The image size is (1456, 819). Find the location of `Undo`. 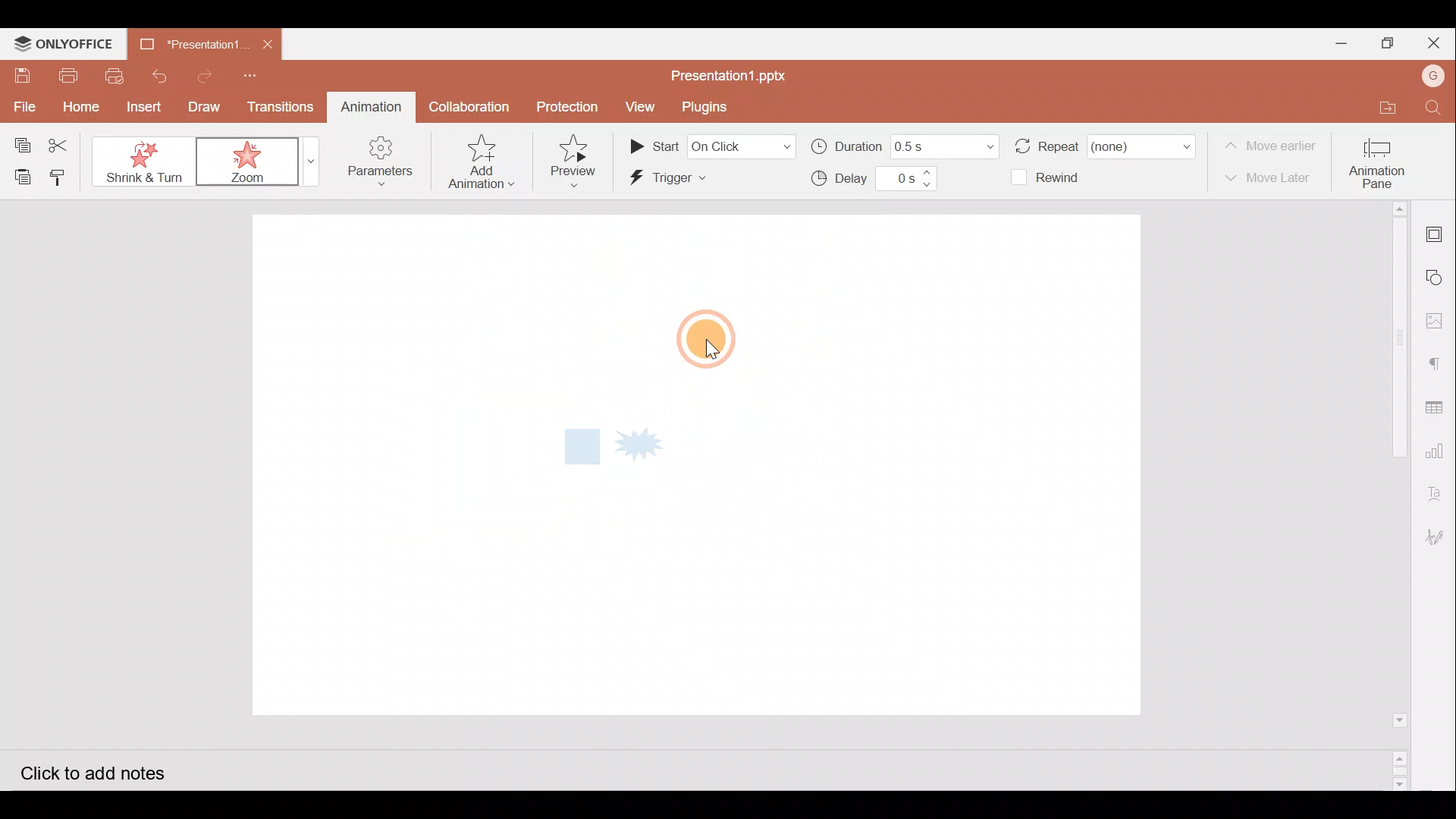

Undo is located at coordinates (158, 74).